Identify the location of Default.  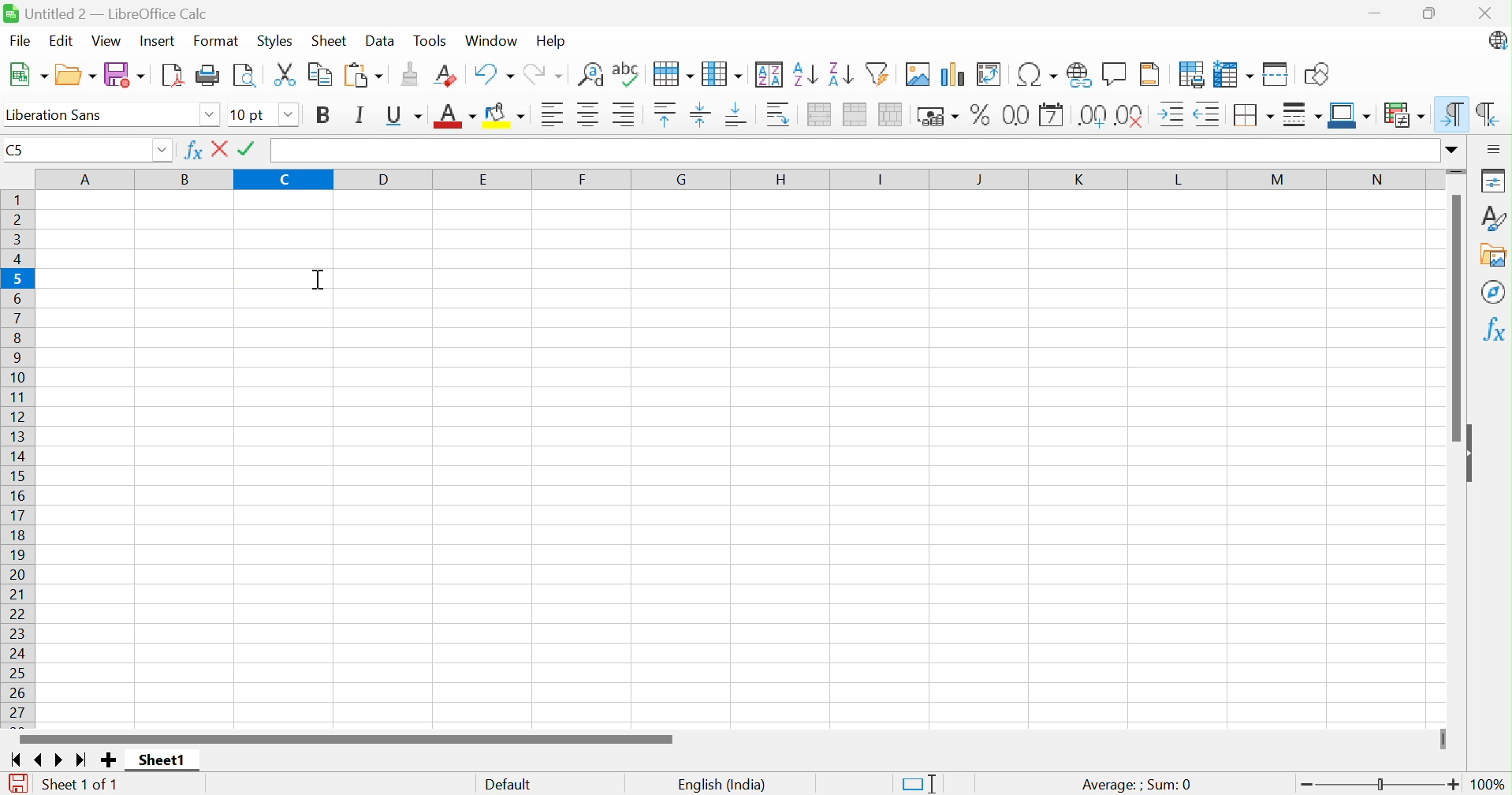
(509, 785).